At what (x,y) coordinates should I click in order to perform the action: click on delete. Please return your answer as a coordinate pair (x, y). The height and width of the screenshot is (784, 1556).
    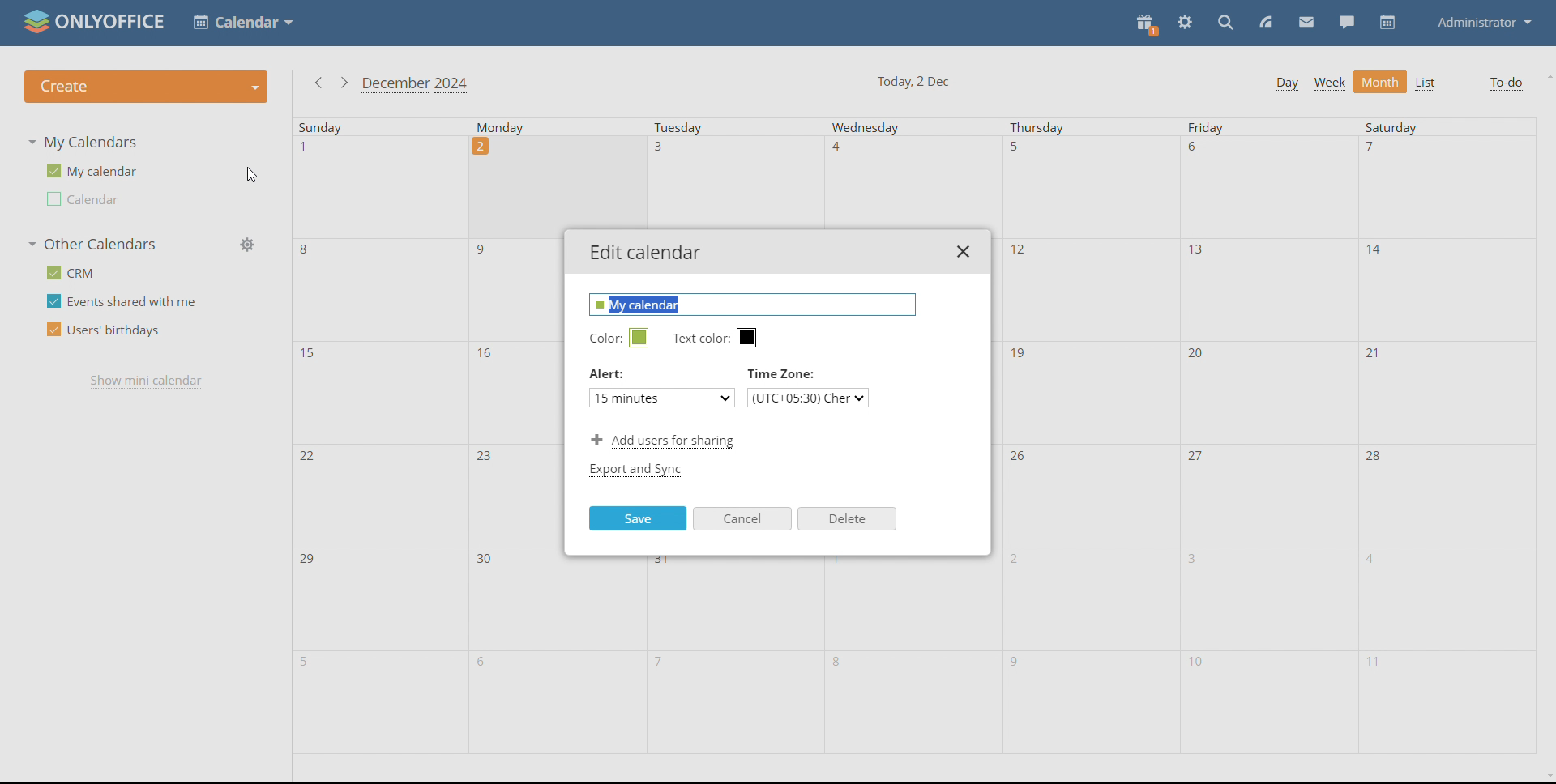
    Looking at the image, I should click on (848, 519).